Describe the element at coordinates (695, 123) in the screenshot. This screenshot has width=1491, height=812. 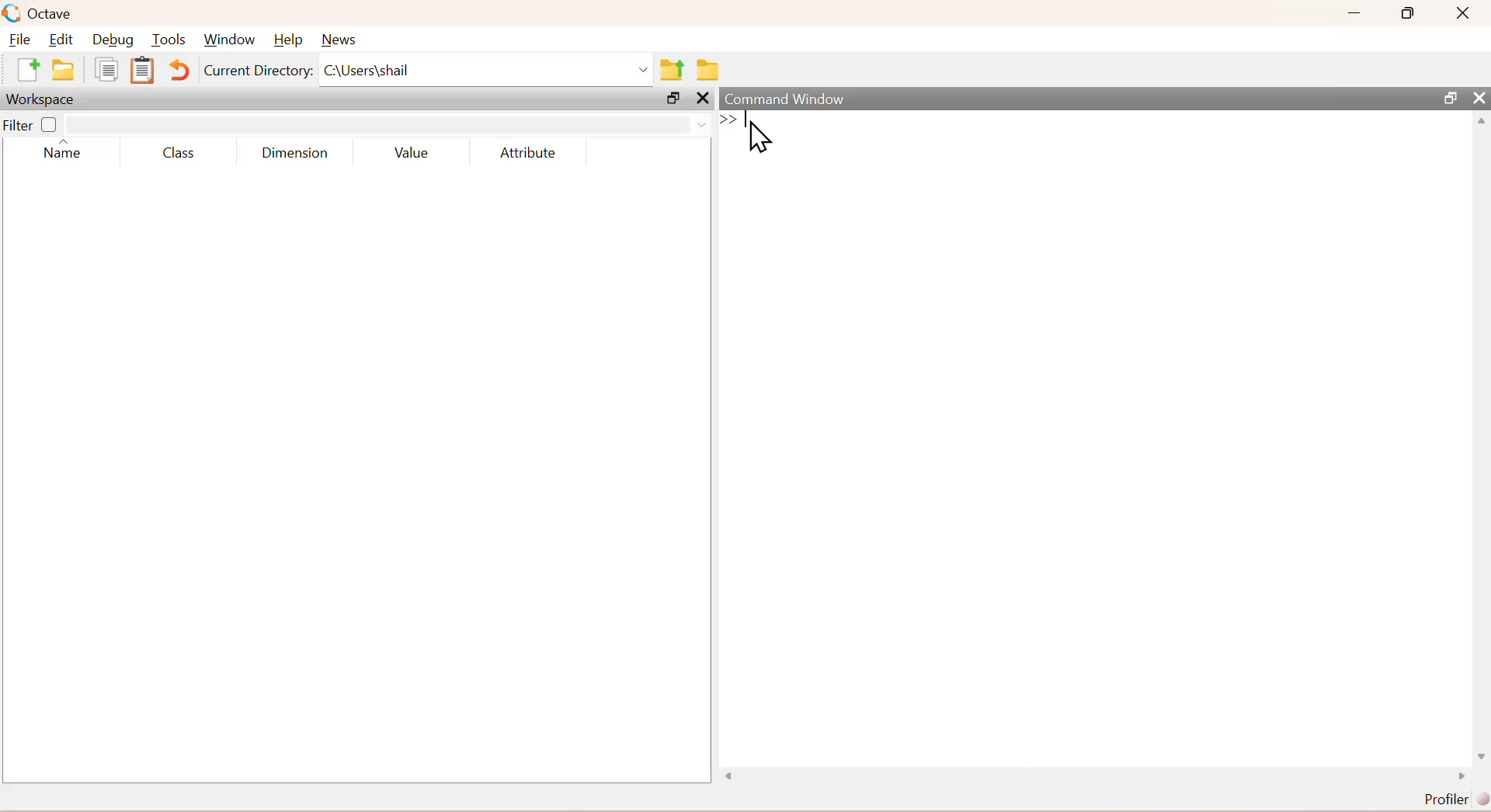
I see `Dropdown` at that location.